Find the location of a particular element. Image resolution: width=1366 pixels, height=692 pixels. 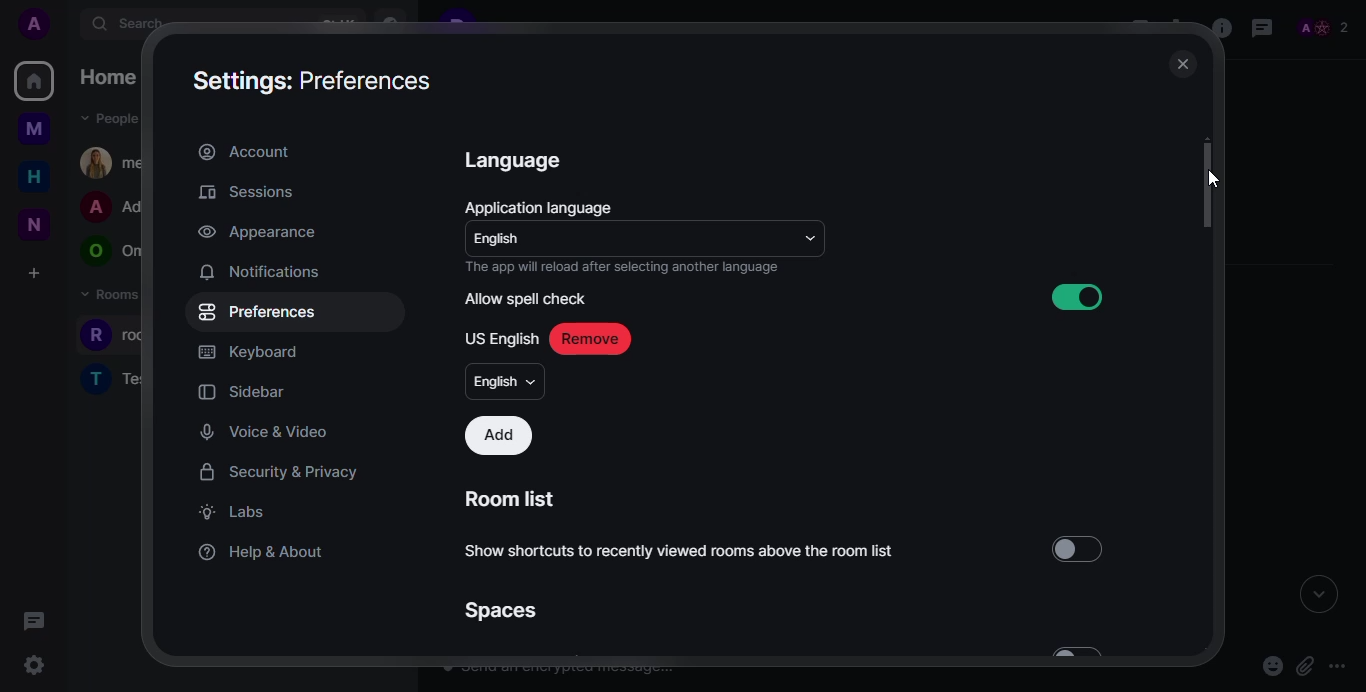

create a space is located at coordinates (33, 272).